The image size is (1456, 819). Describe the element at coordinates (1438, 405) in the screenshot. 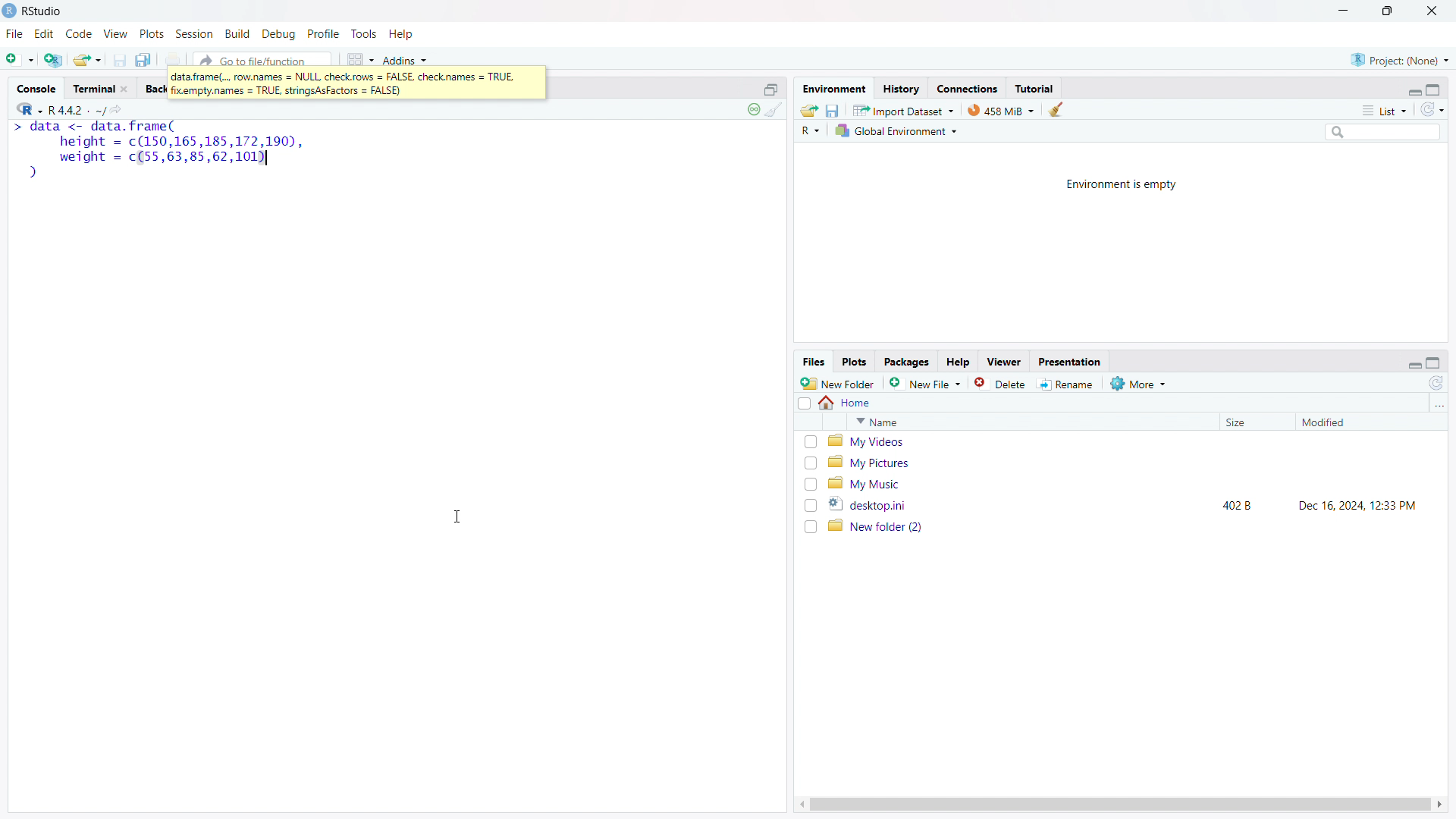

I see `go to directory` at that location.